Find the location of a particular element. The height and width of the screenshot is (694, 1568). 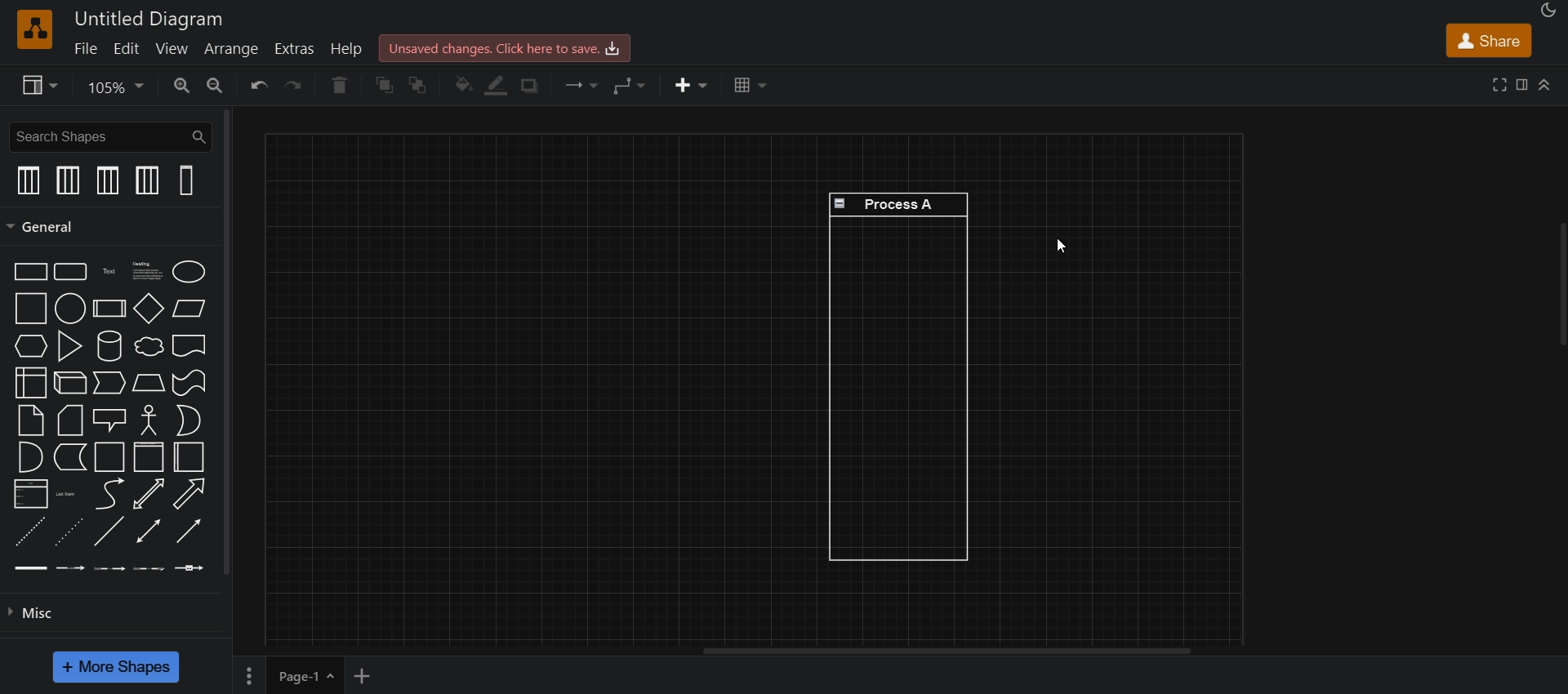

collapase/expand  is located at coordinates (1547, 81).